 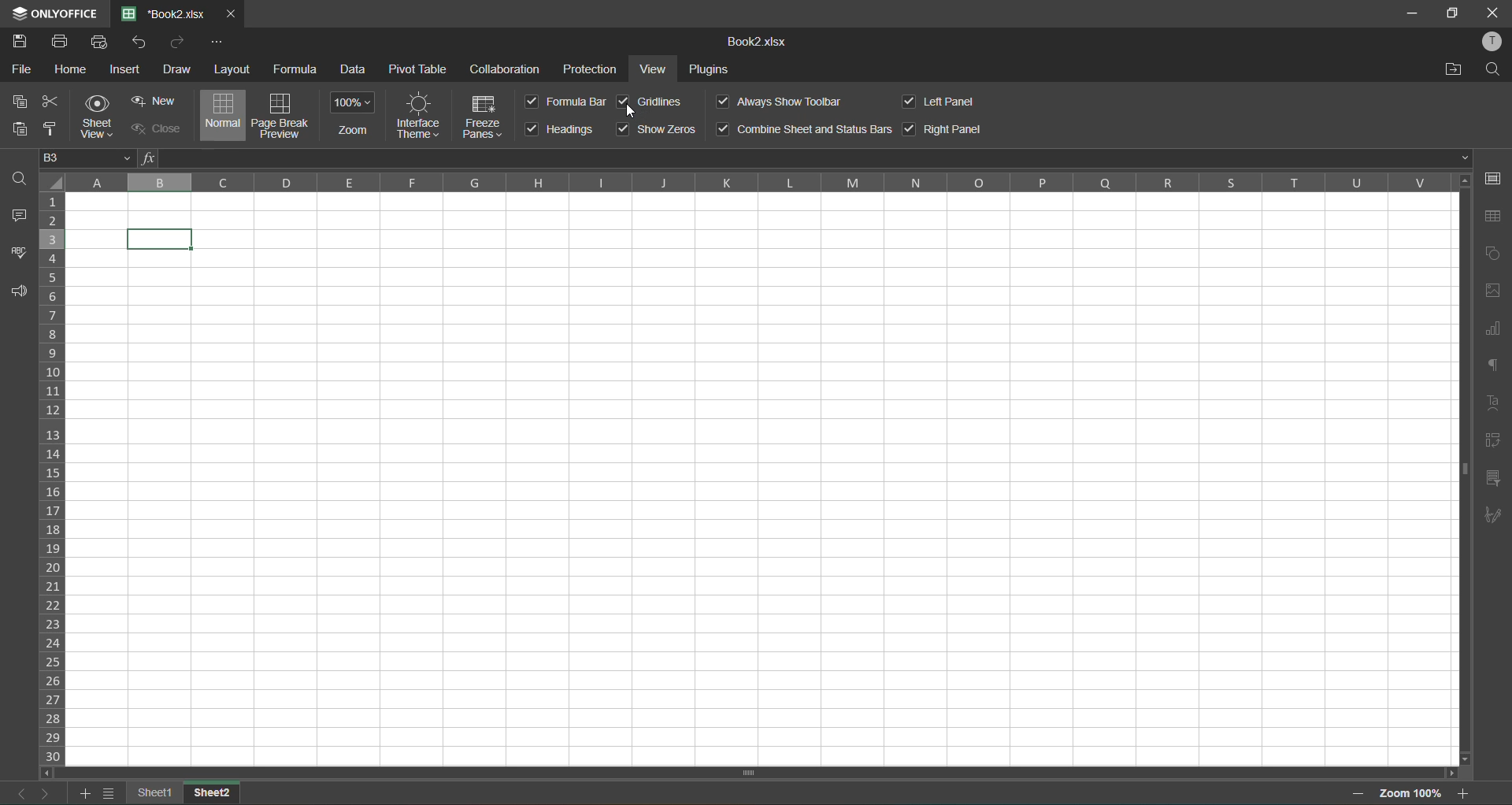 What do you see at coordinates (760, 43) in the screenshot?
I see `book2.xlsx` at bounding box center [760, 43].